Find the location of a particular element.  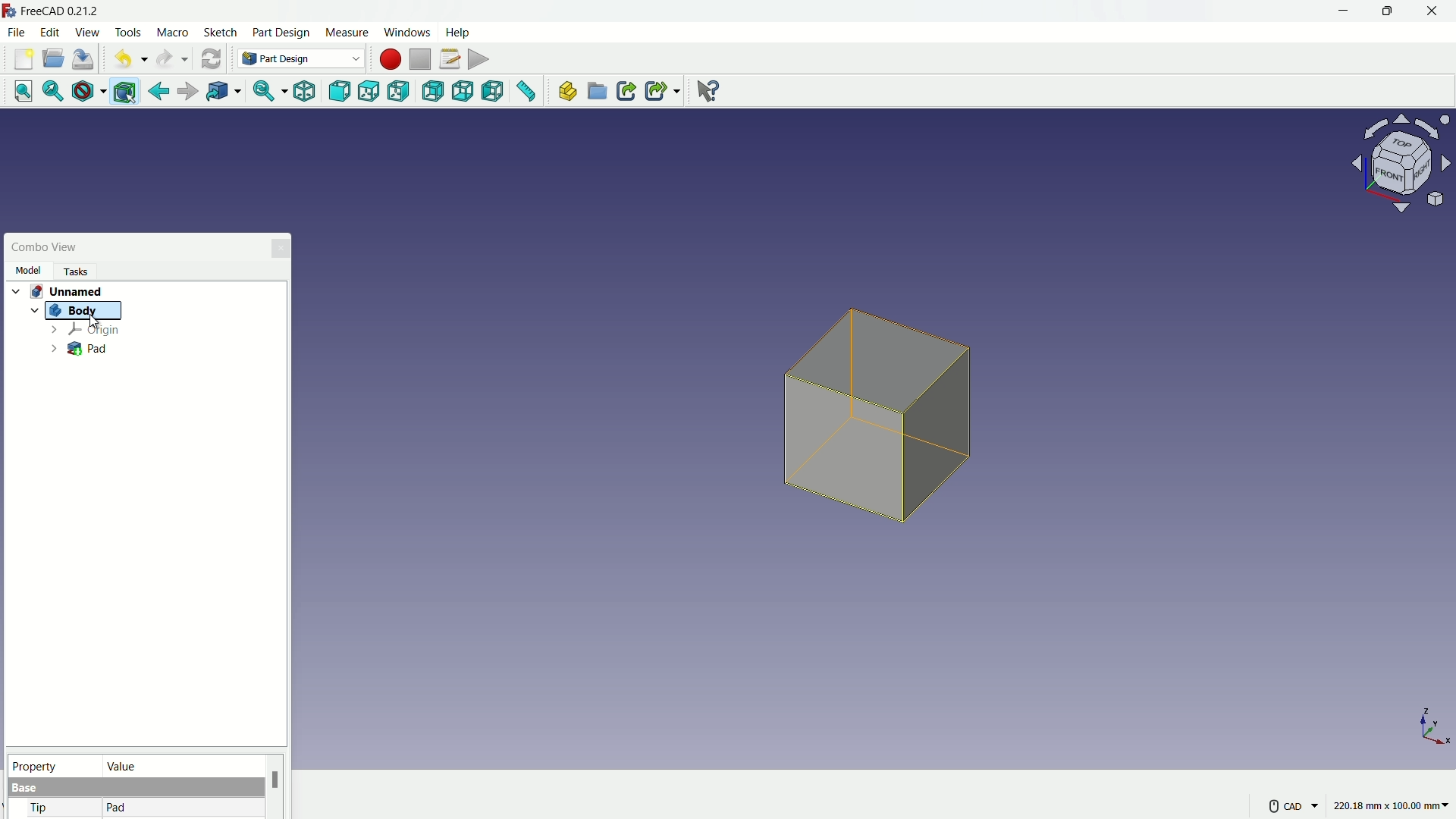

pad is located at coordinates (117, 808).